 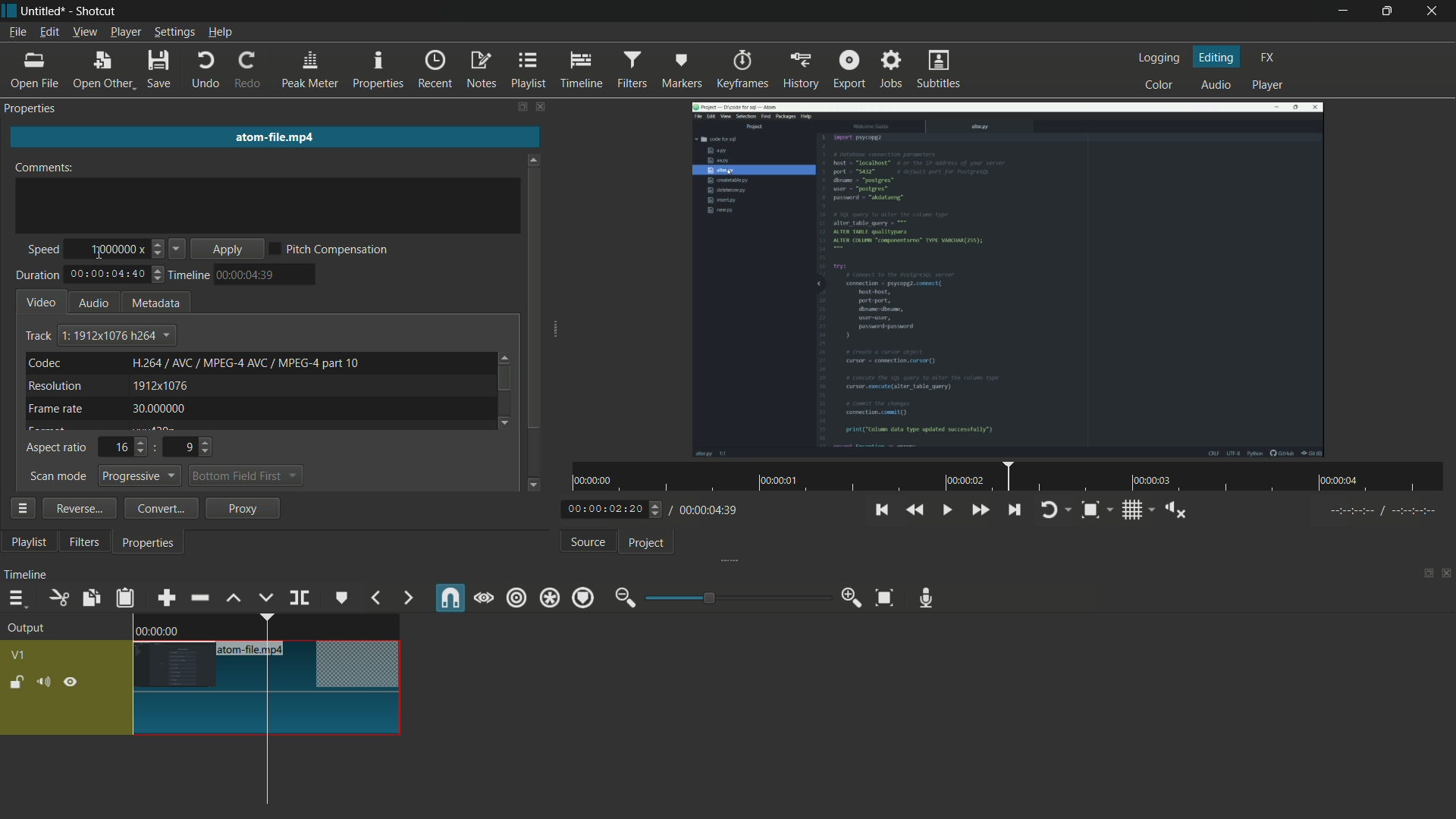 What do you see at coordinates (297, 598) in the screenshot?
I see `split at playhead` at bounding box center [297, 598].